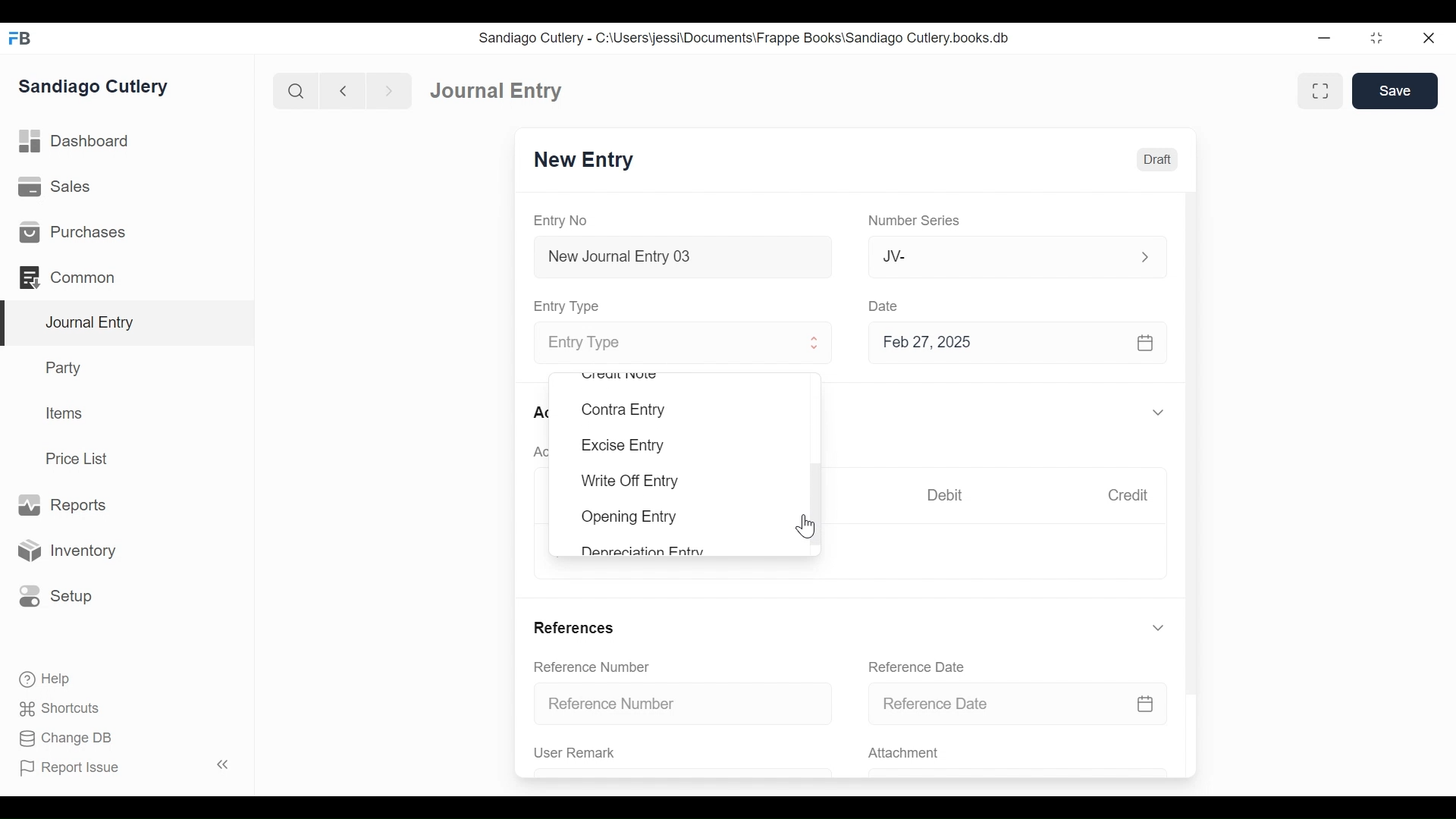  I want to click on Close, so click(1427, 38).